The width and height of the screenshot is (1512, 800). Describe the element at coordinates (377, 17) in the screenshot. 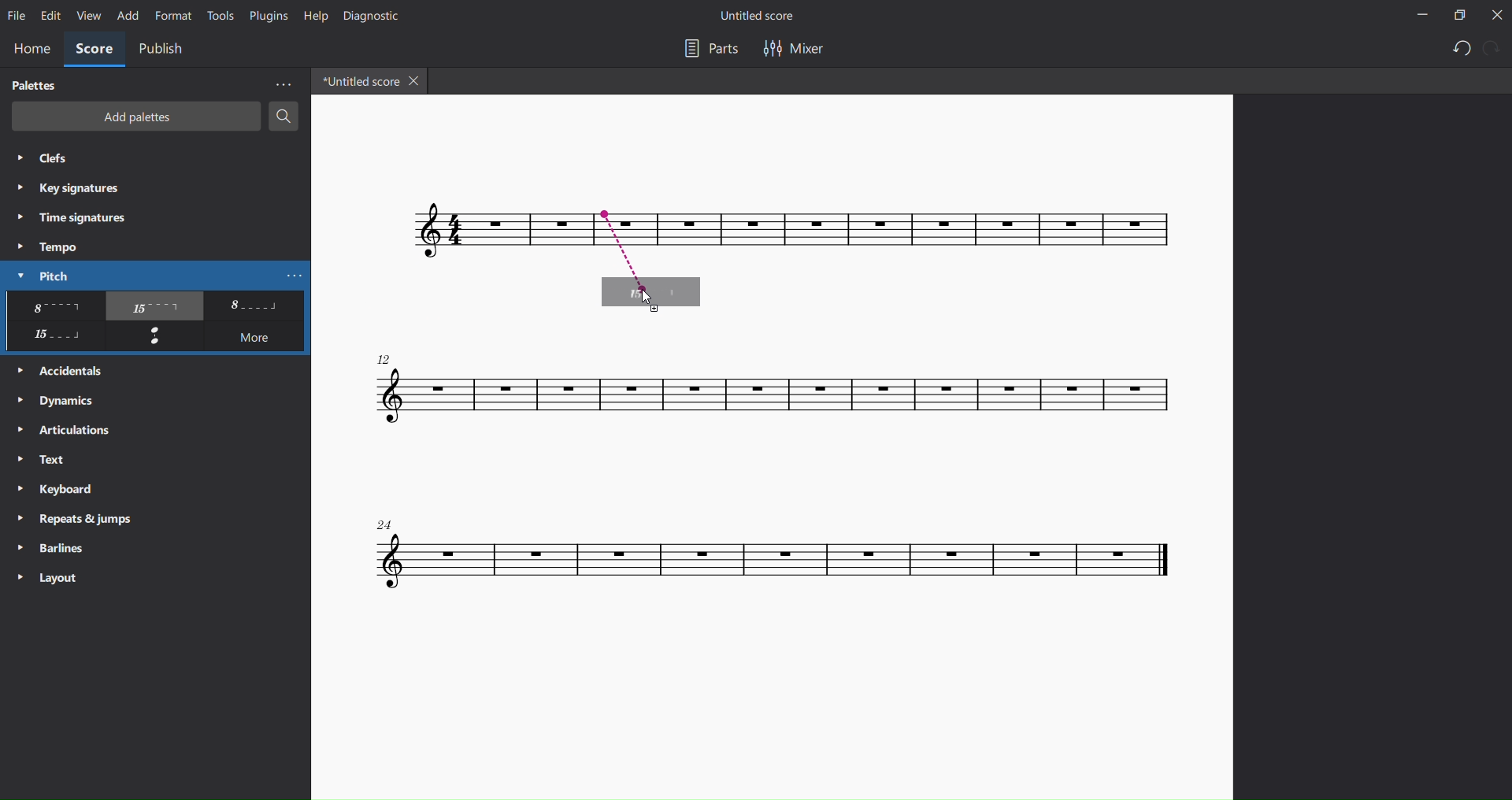

I see `dignostic` at that location.